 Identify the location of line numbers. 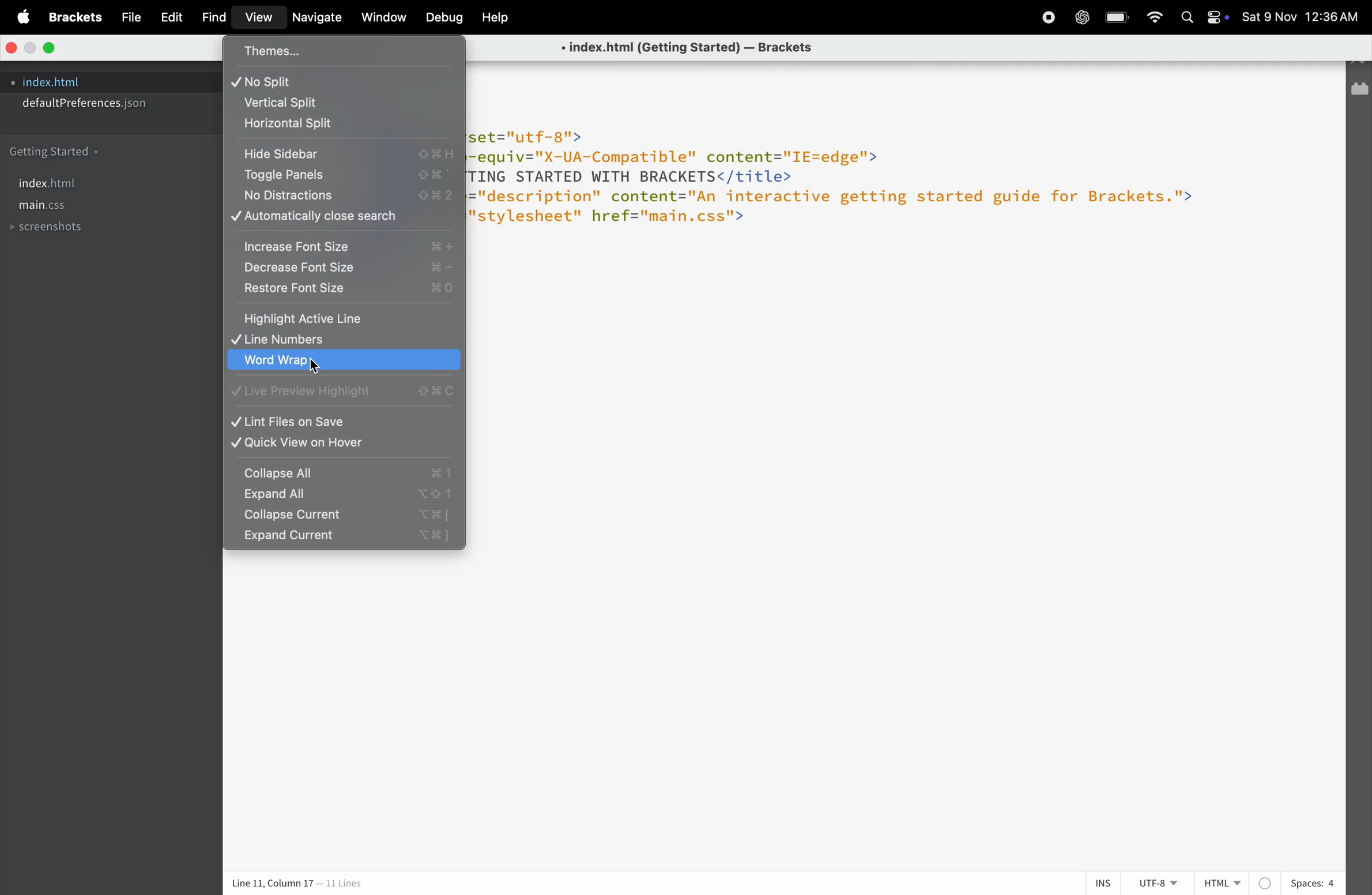
(338, 341).